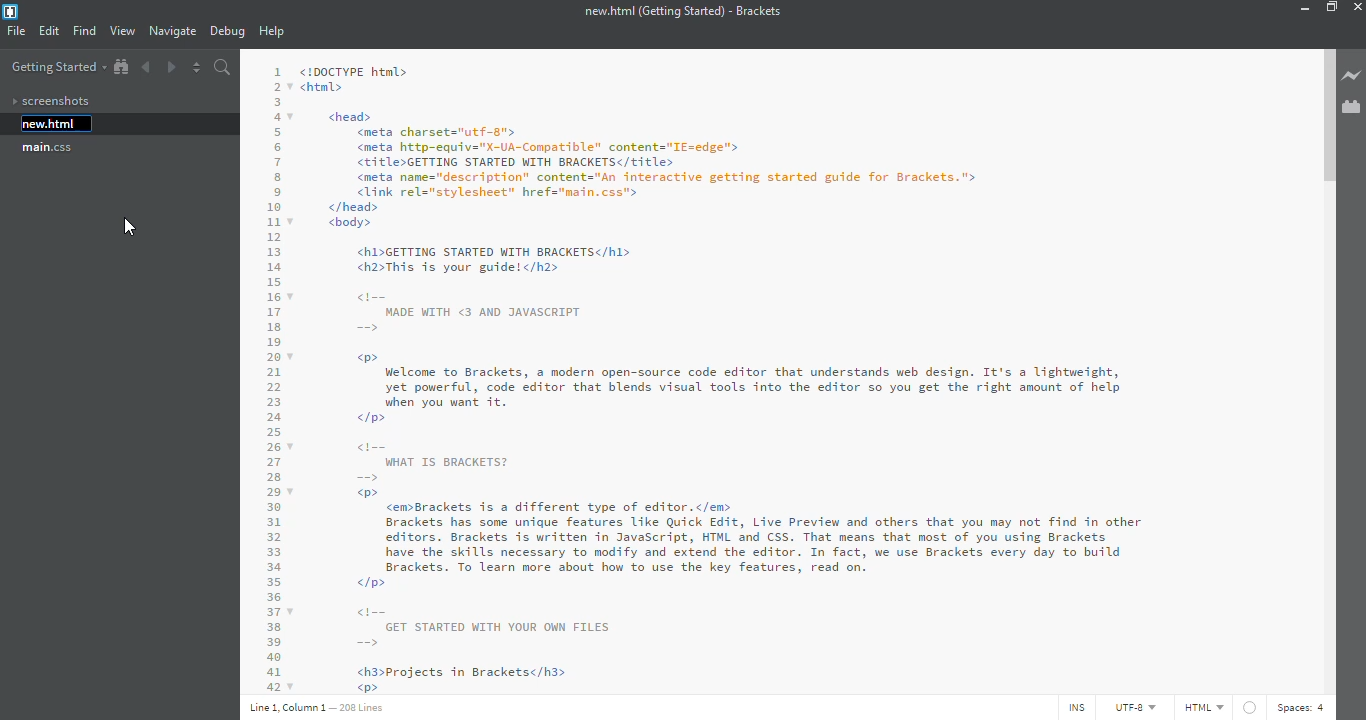 The width and height of the screenshot is (1366, 720). Describe the element at coordinates (679, 11) in the screenshot. I see `new.html (Getting Started) - Brackets` at that location.